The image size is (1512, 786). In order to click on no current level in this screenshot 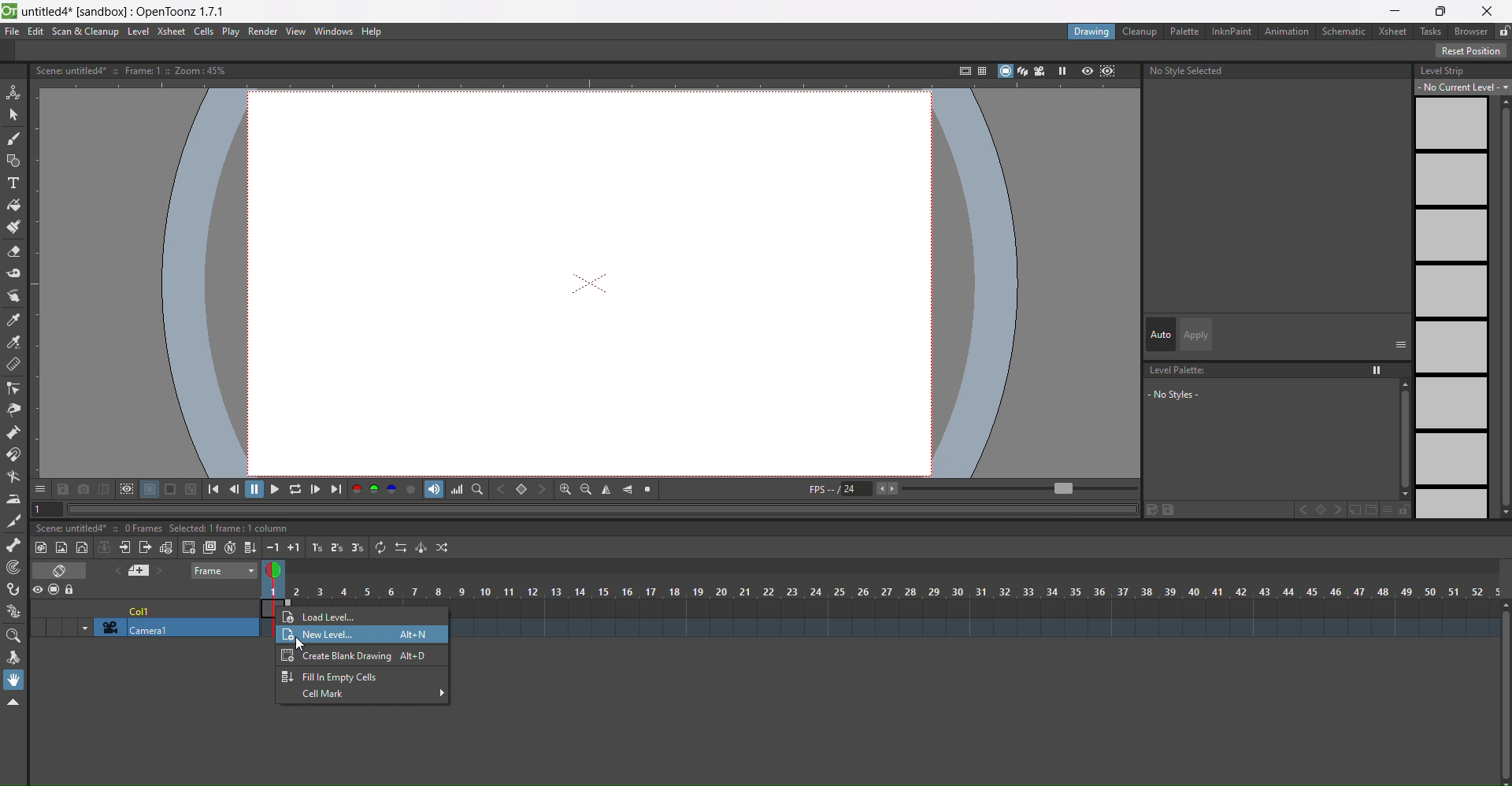, I will do `click(1464, 87)`.